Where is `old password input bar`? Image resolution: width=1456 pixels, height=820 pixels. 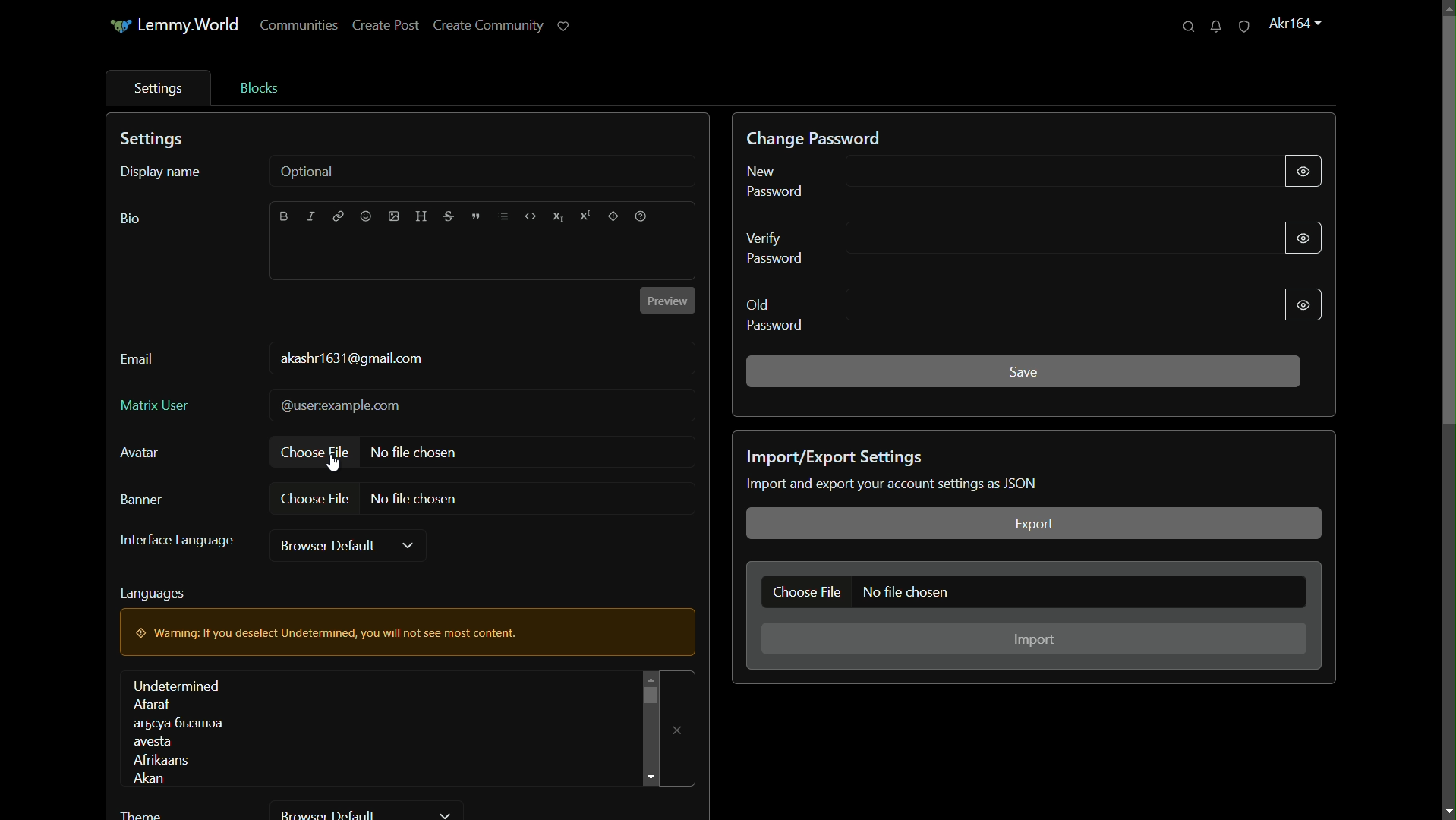
old password input bar is located at coordinates (1050, 306).